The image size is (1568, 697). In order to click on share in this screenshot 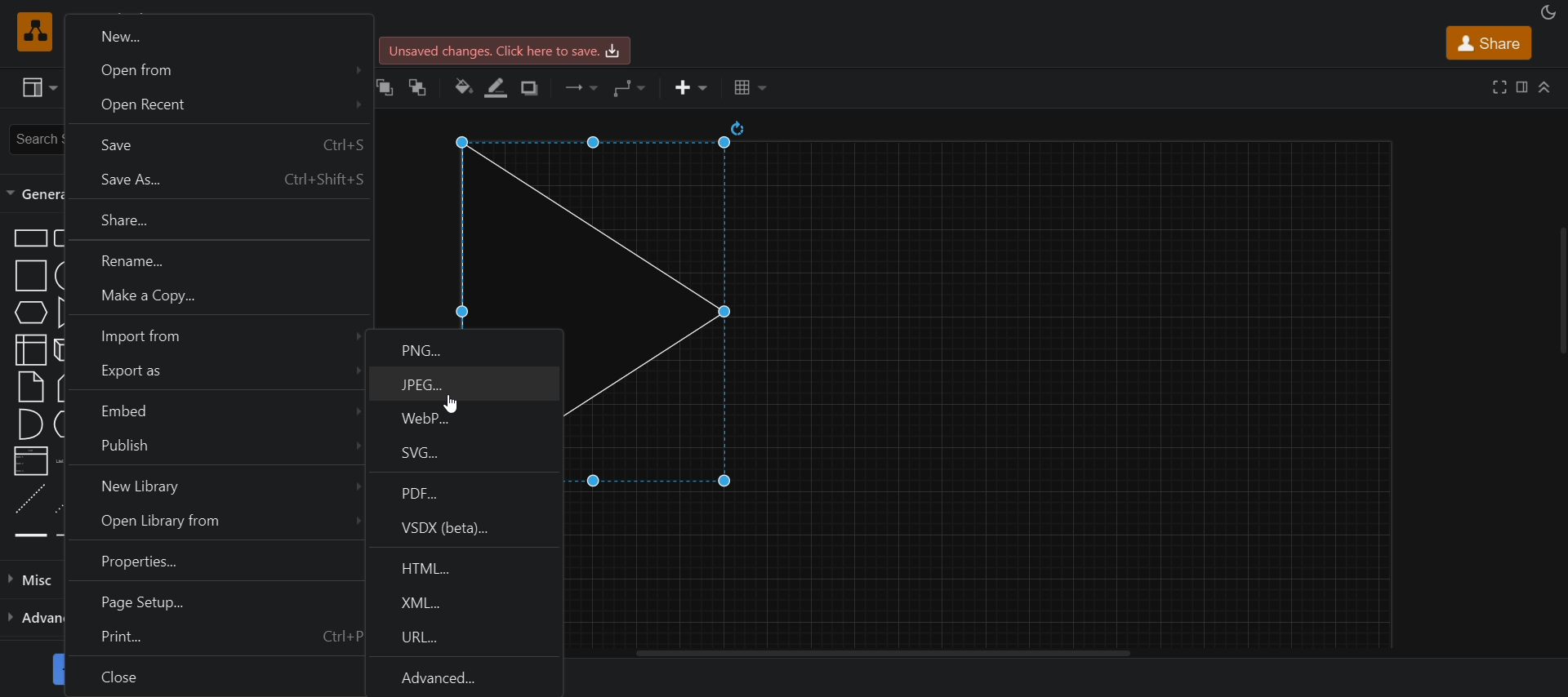, I will do `click(216, 222)`.